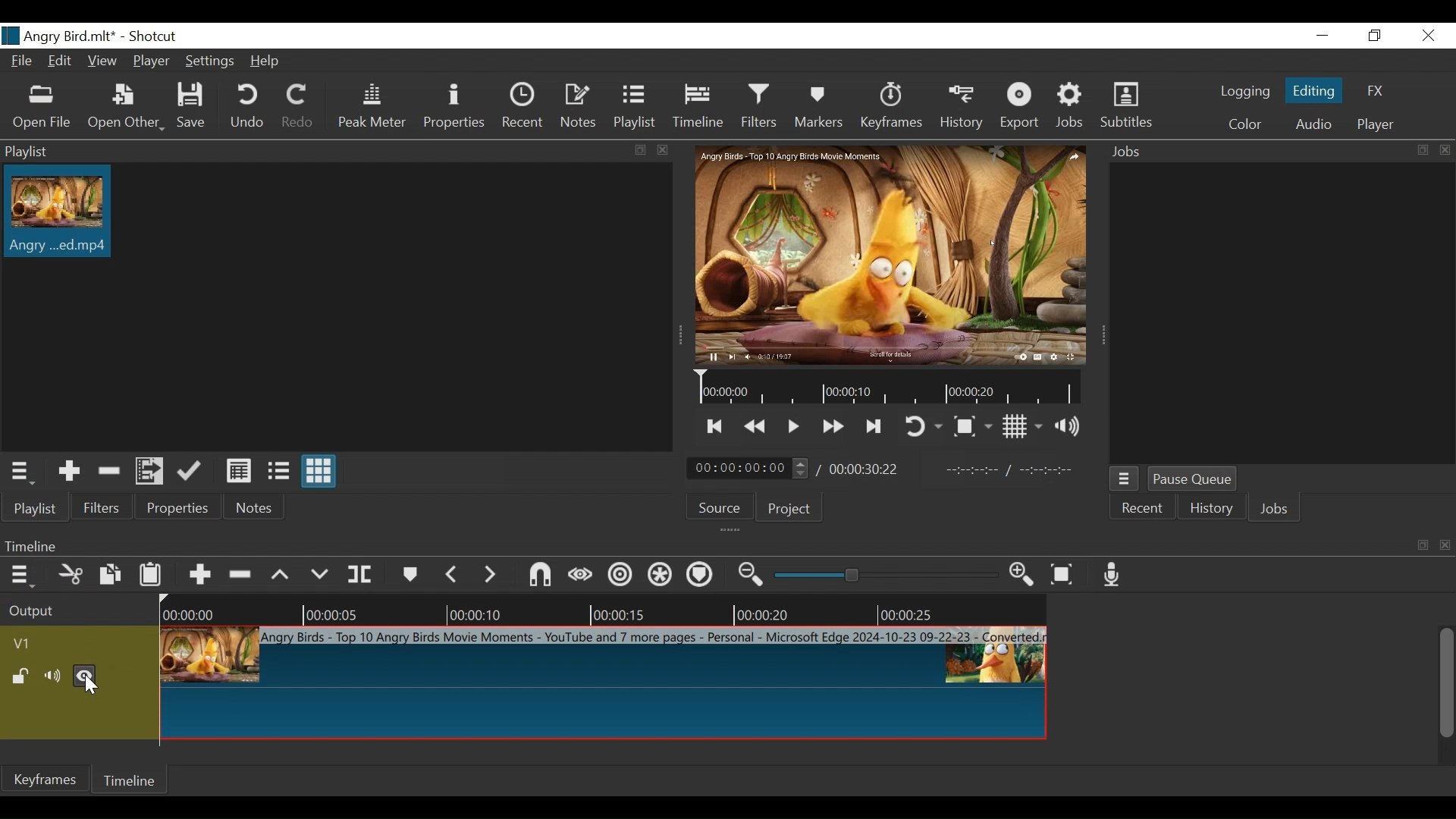  Describe the element at coordinates (246, 106) in the screenshot. I see `Undo` at that location.